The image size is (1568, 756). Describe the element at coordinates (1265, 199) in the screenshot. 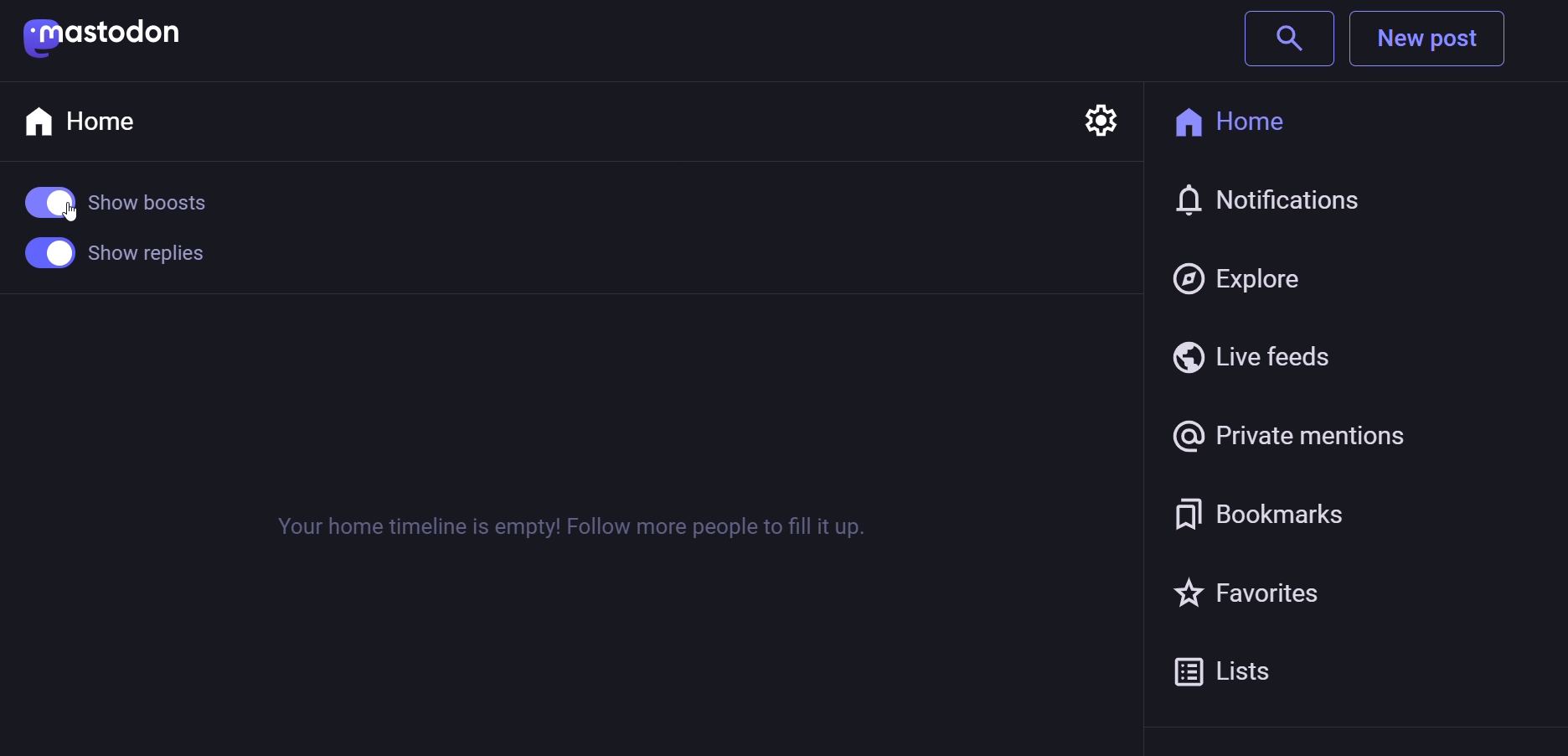

I see `Notification` at that location.